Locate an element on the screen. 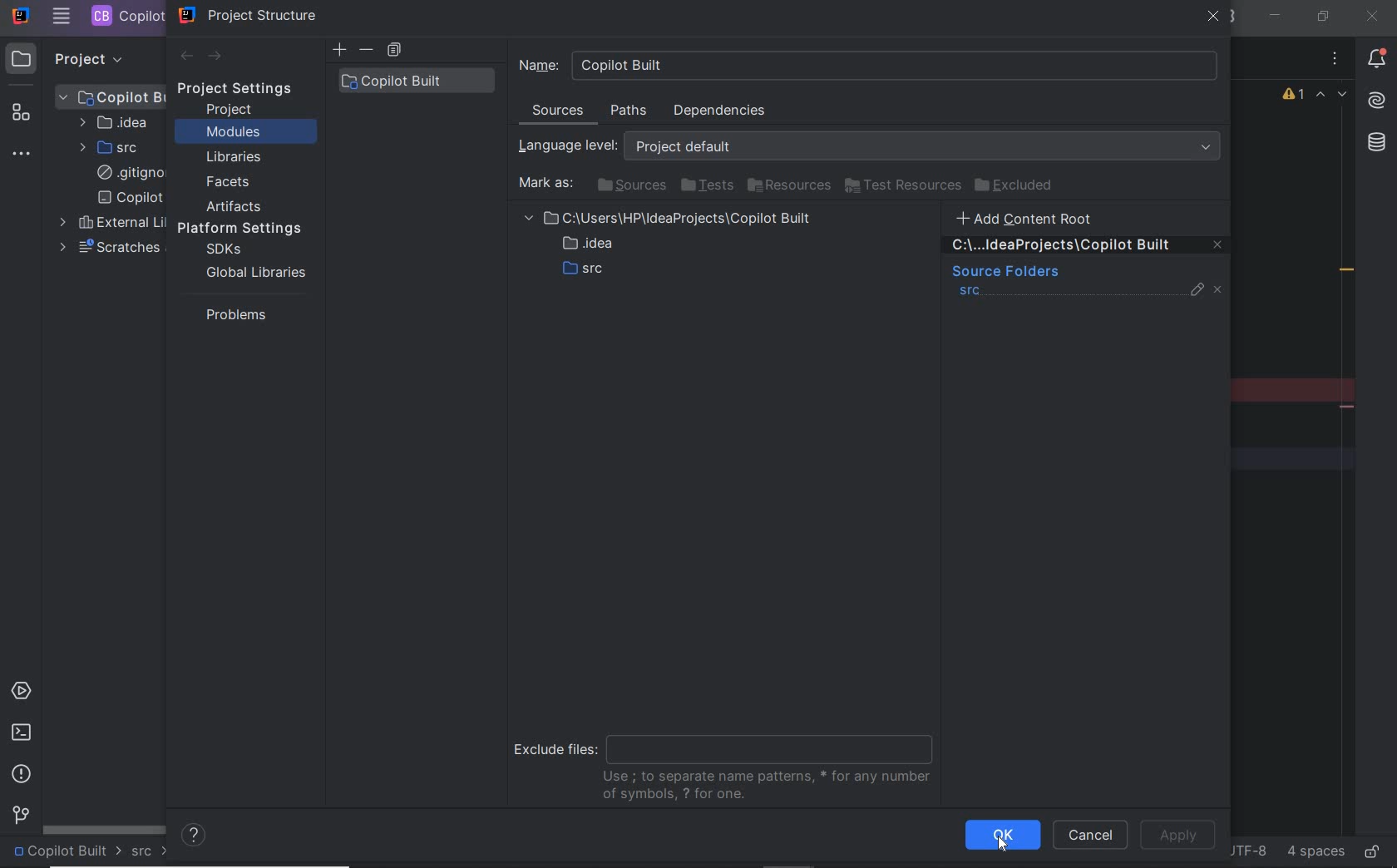 The height and width of the screenshot is (868, 1397). unmark source is located at coordinates (1221, 290).